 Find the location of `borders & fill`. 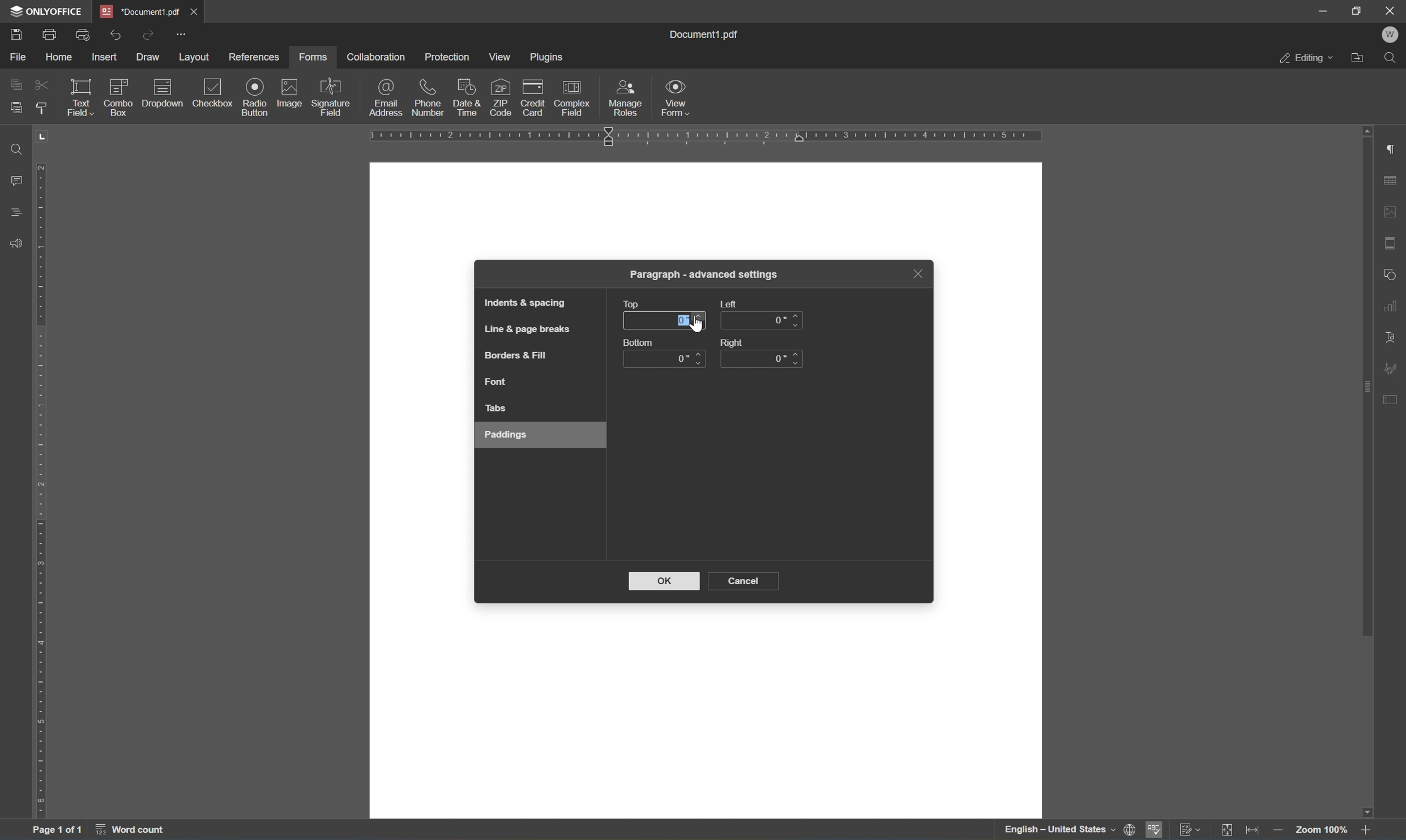

borders & fill is located at coordinates (514, 357).